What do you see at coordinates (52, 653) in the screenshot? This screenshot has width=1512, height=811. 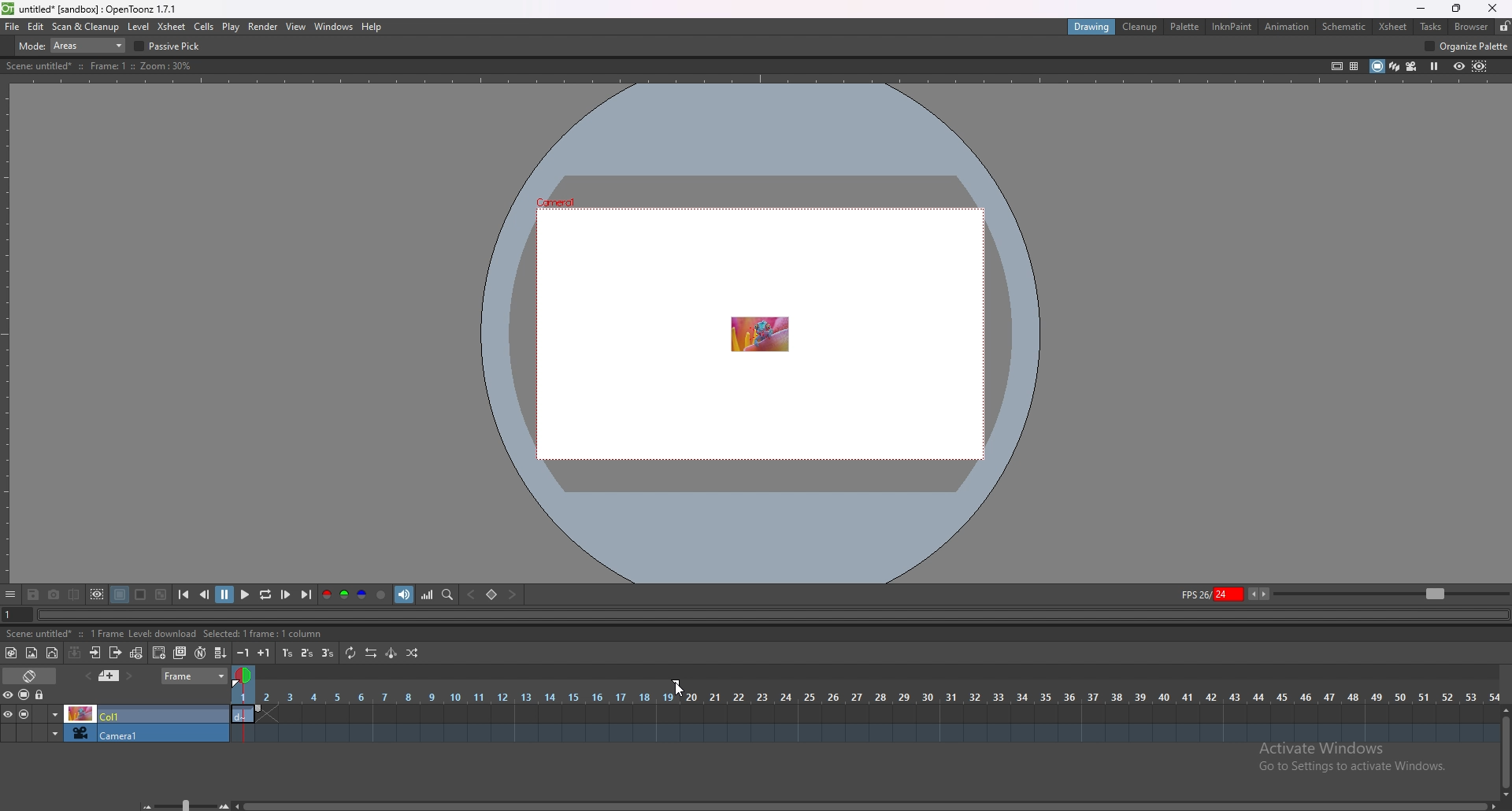 I see `new vector level` at bounding box center [52, 653].